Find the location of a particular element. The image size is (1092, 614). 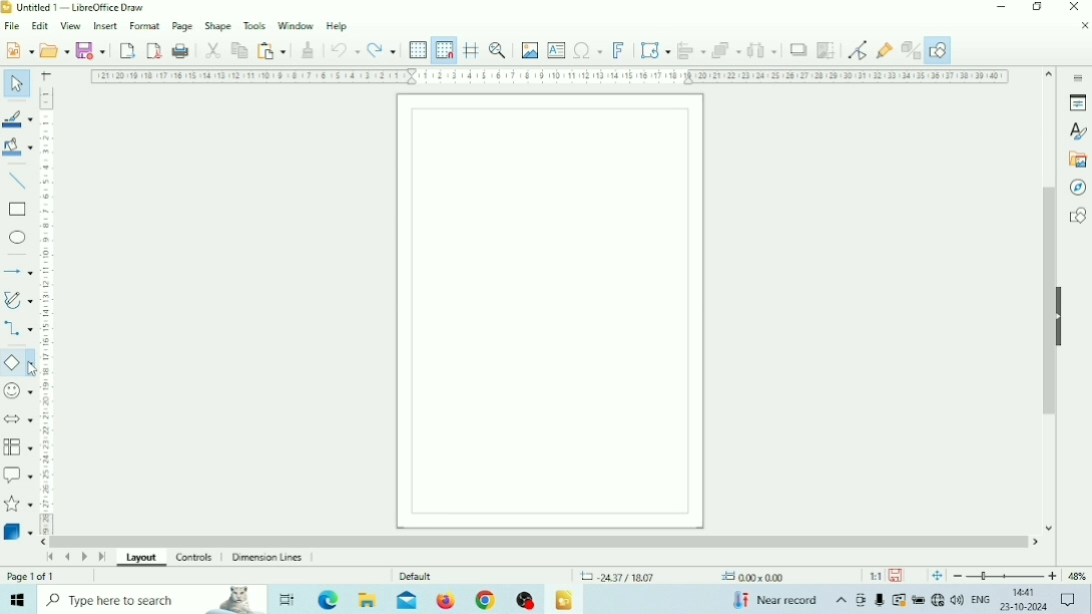

Minimize is located at coordinates (1001, 7).